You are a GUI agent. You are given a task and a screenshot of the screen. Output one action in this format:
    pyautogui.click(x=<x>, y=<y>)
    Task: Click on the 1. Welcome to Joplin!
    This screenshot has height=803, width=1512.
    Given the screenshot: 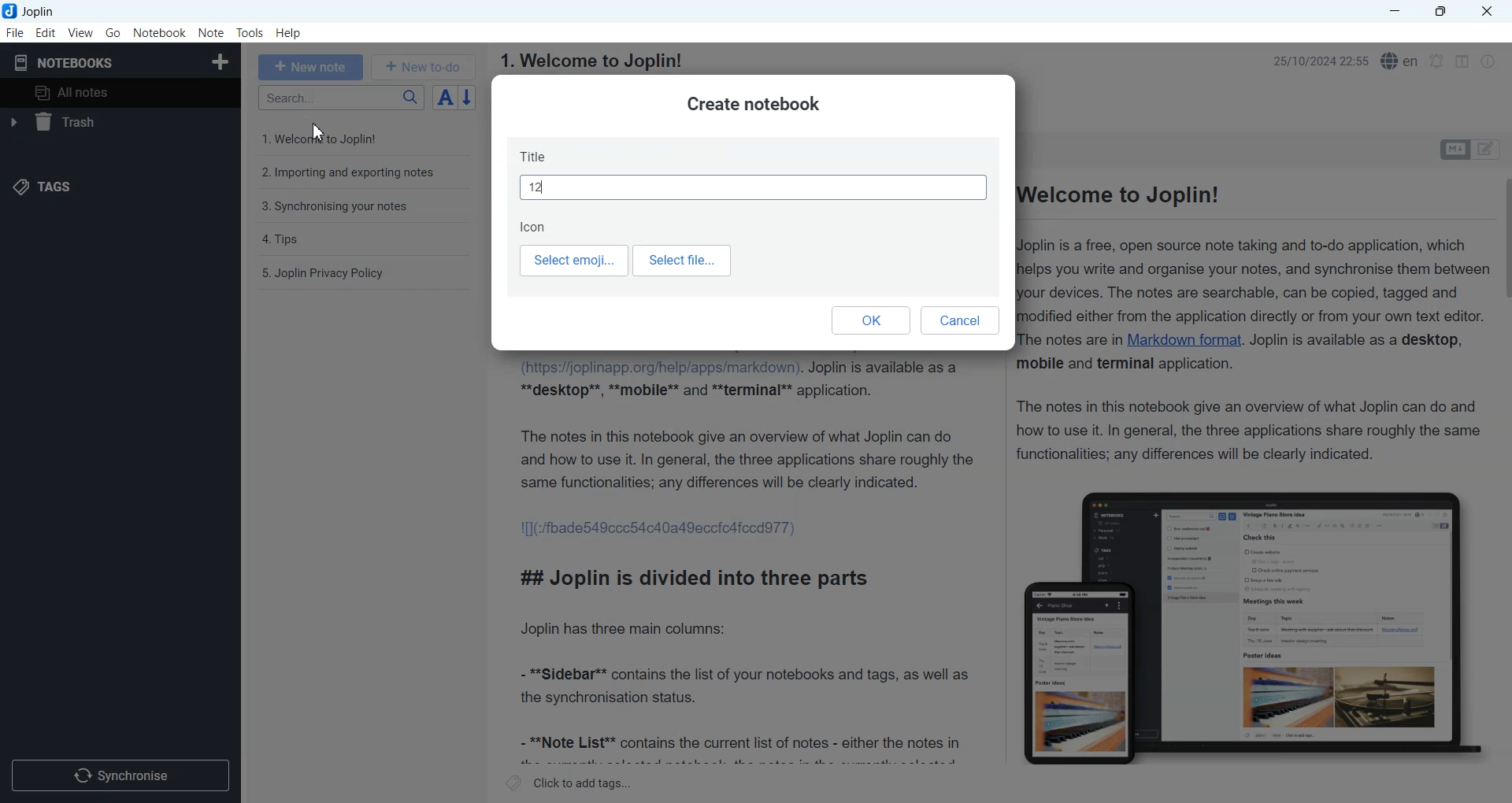 What is the action you would take?
    pyautogui.click(x=590, y=61)
    